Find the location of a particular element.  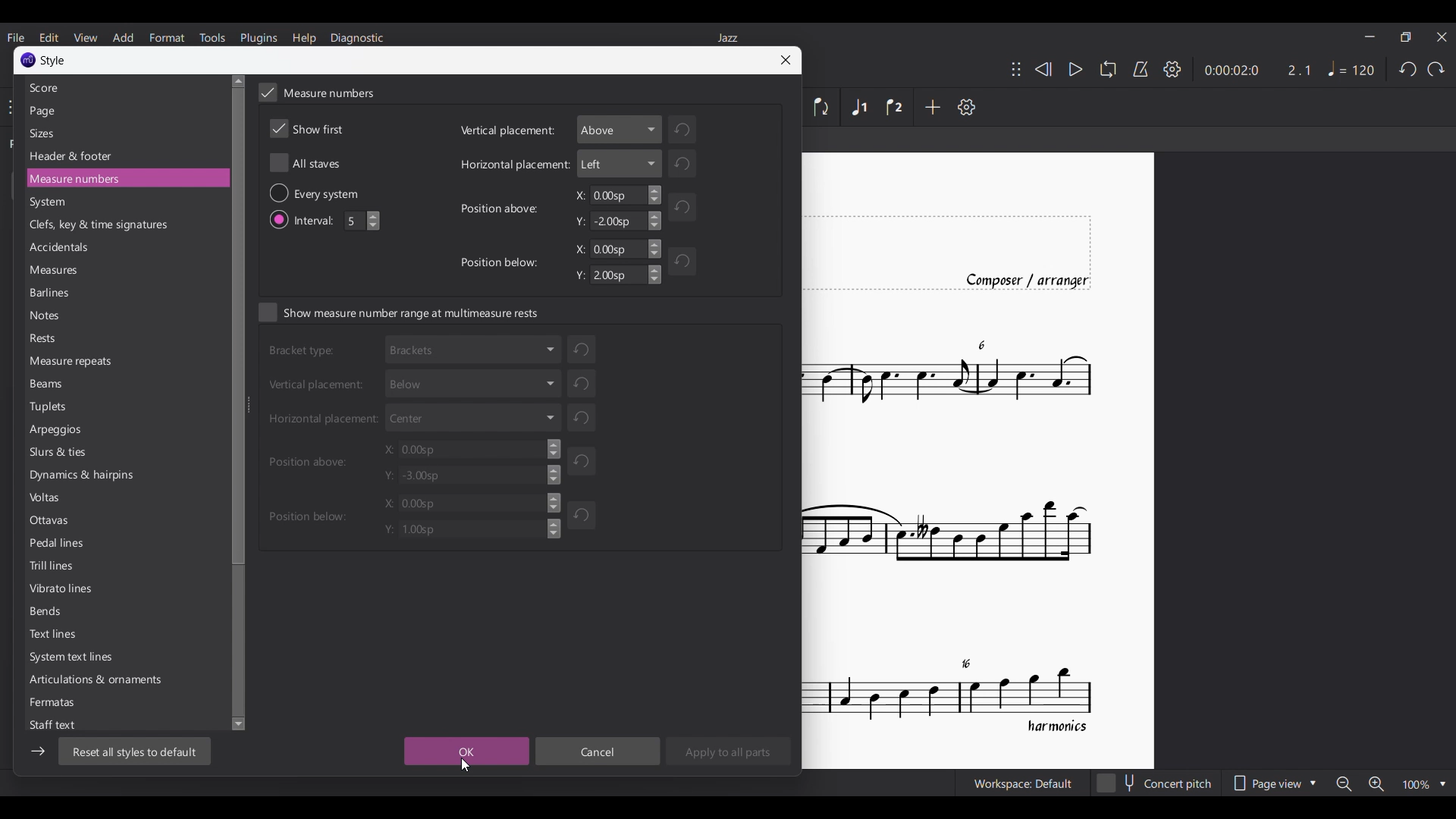

Apply to all parts is located at coordinates (728, 751).